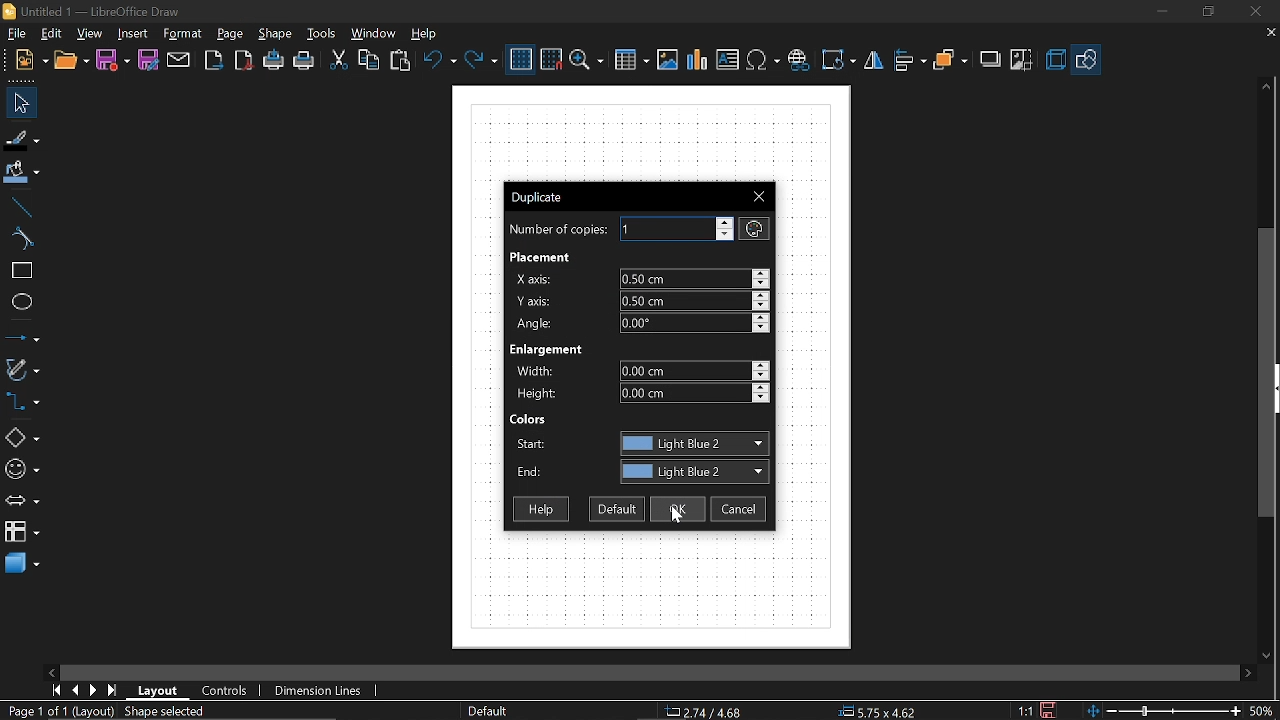  I want to click on start, so click(693, 443).